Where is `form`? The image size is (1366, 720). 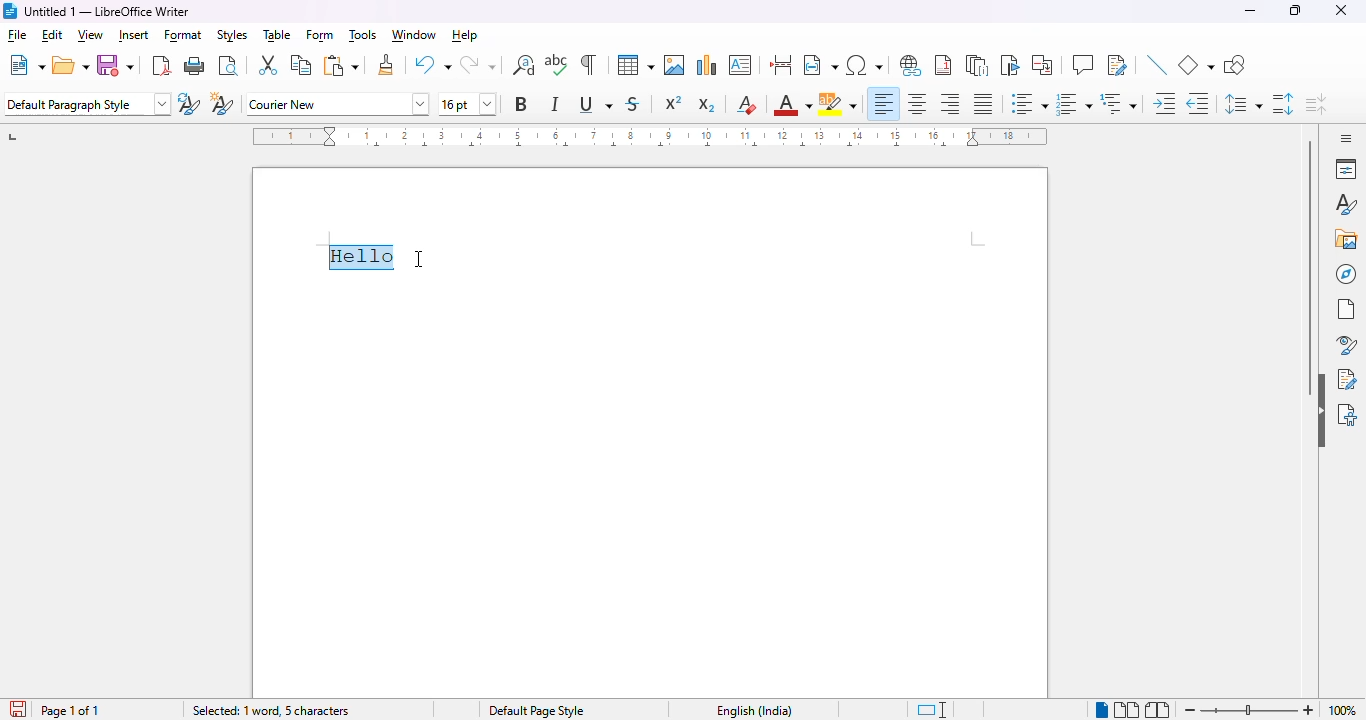
form is located at coordinates (321, 36).